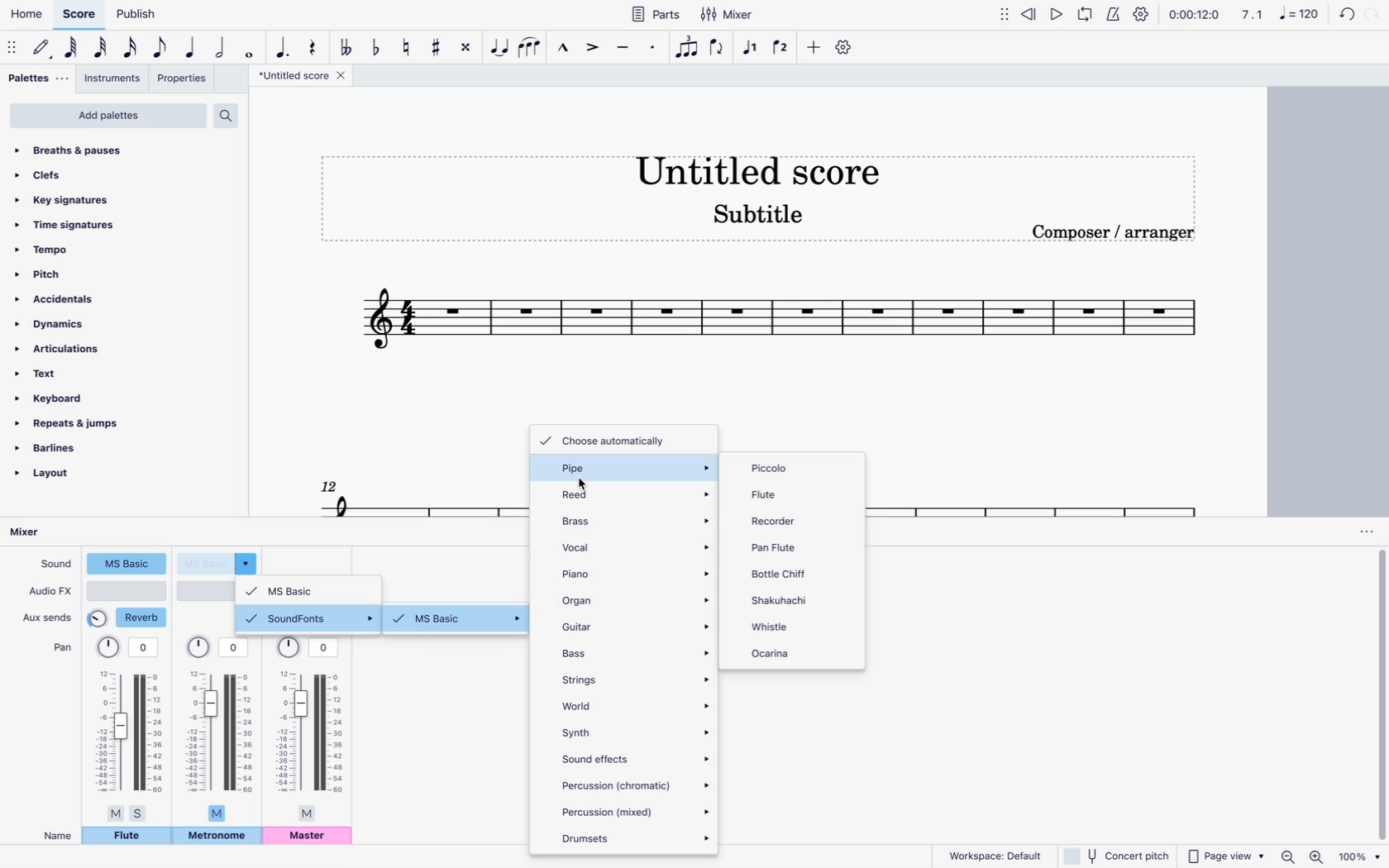  What do you see at coordinates (252, 50) in the screenshot?
I see `full note` at bounding box center [252, 50].